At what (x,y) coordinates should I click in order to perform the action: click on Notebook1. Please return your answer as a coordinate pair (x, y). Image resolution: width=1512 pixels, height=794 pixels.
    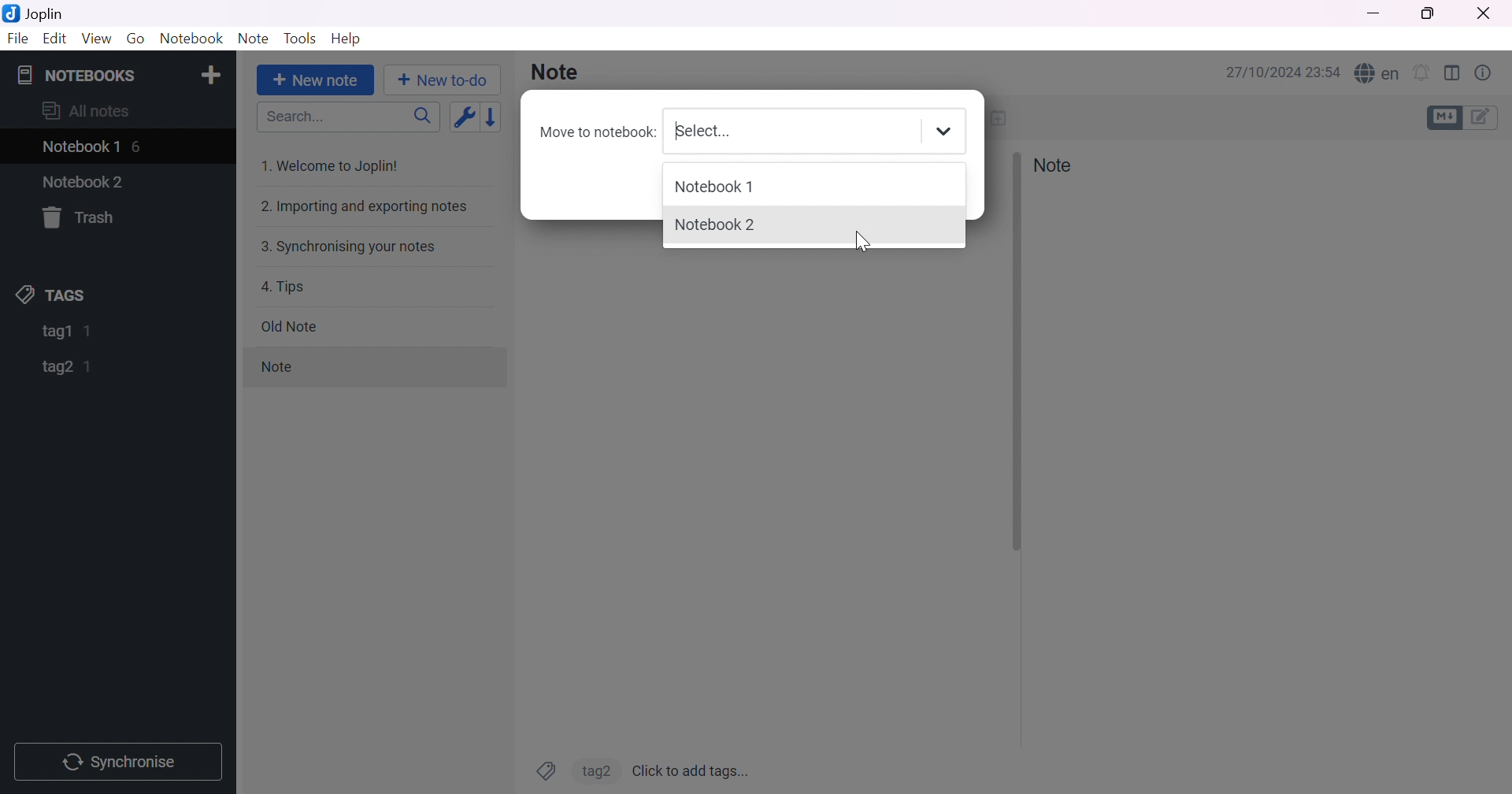
    Looking at the image, I should click on (717, 187).